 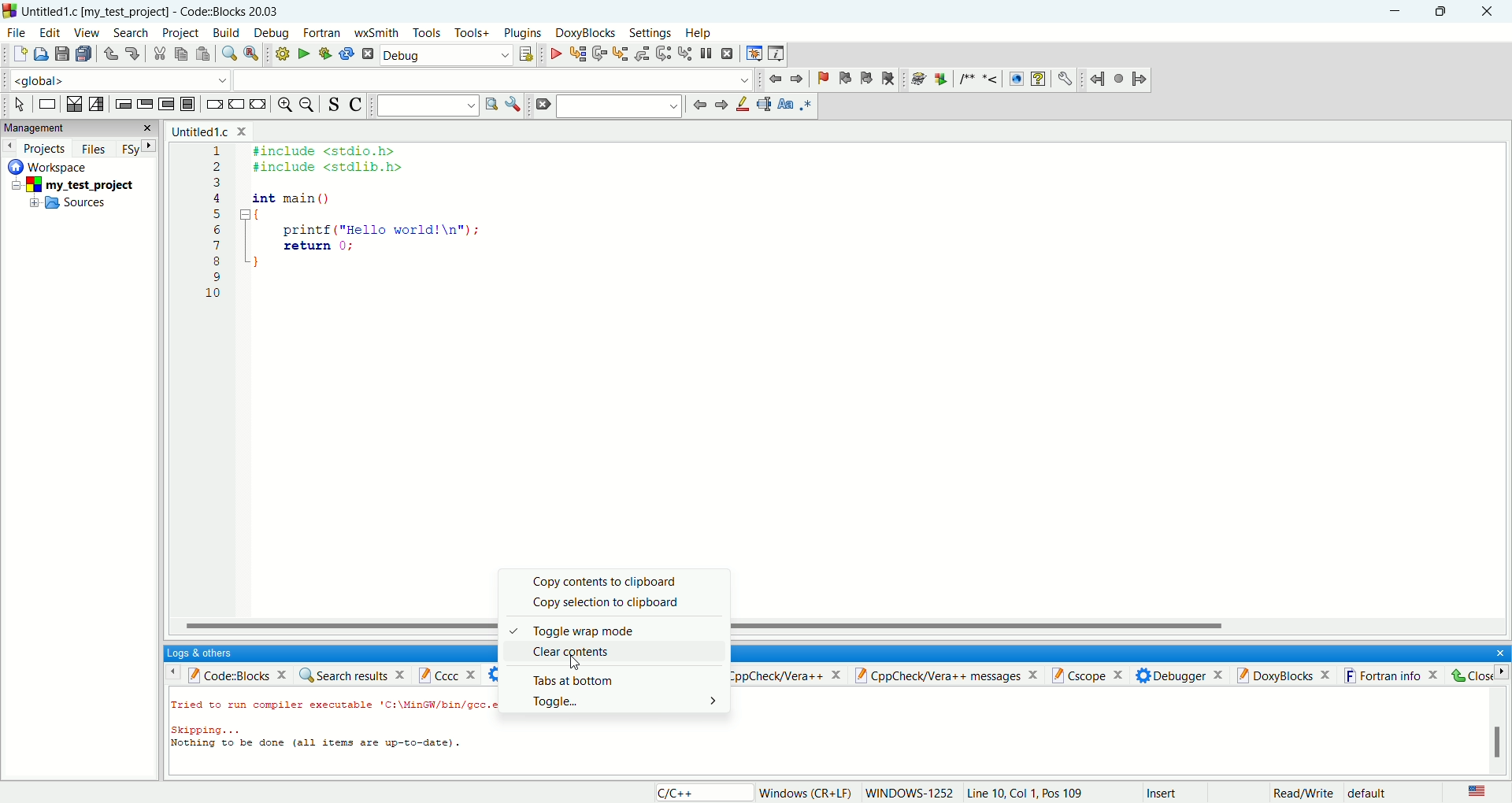 I want to click on zoom out, so click(x=308, y=105).